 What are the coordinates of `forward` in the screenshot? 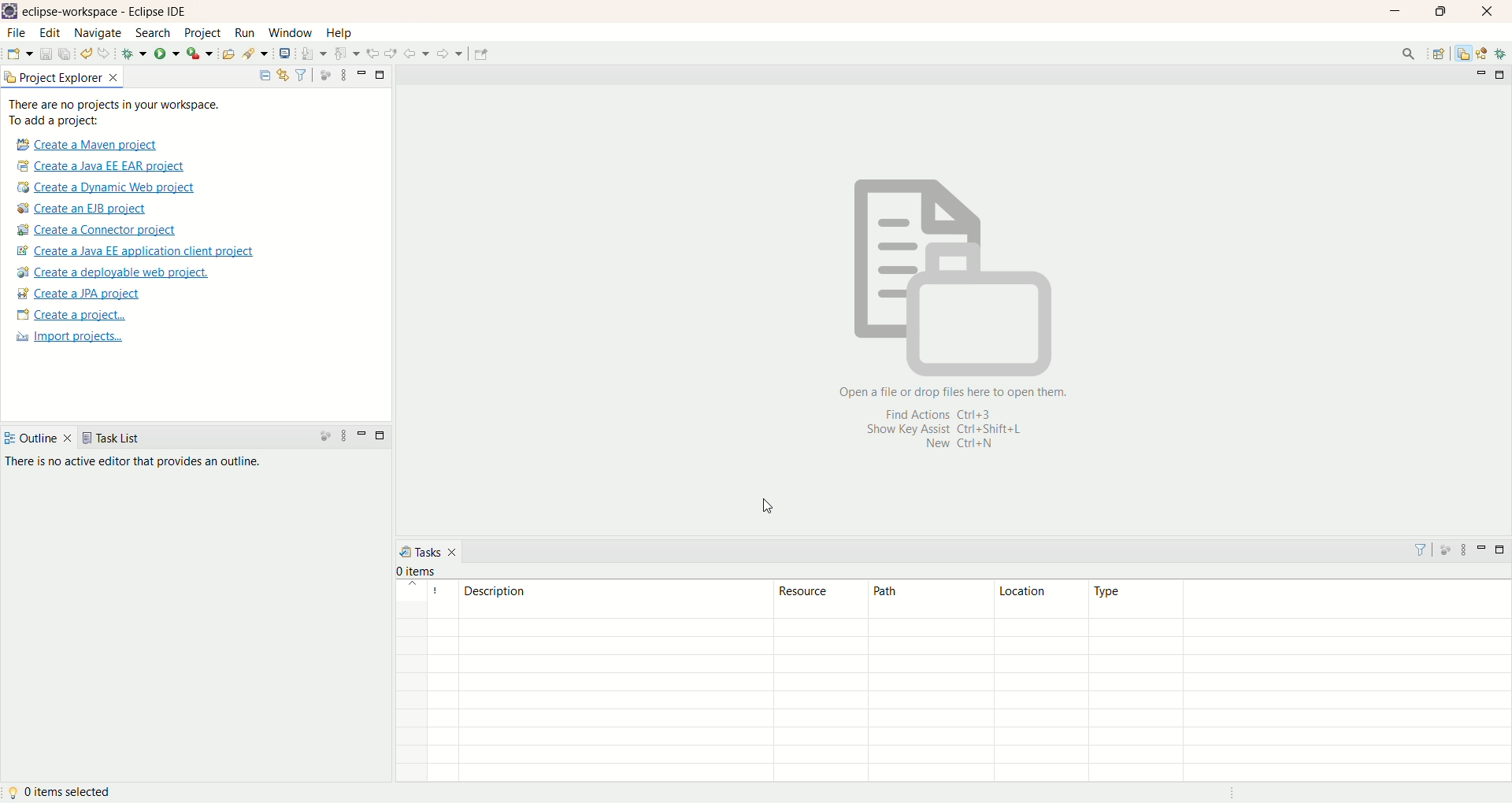 It's located at (451, 53).